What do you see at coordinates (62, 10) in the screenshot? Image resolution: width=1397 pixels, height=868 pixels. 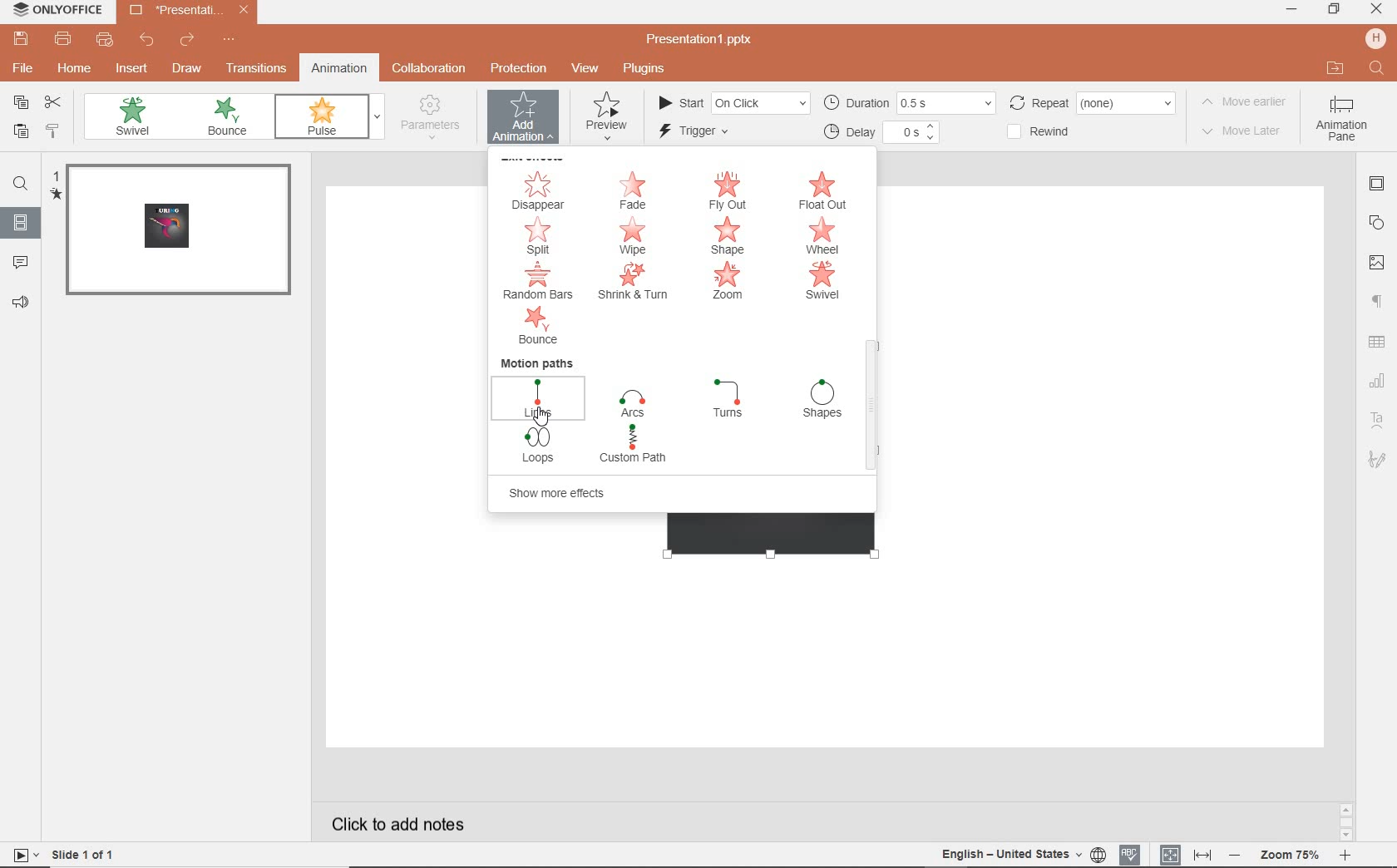 I see `system name` at bounding box center [62, 10].